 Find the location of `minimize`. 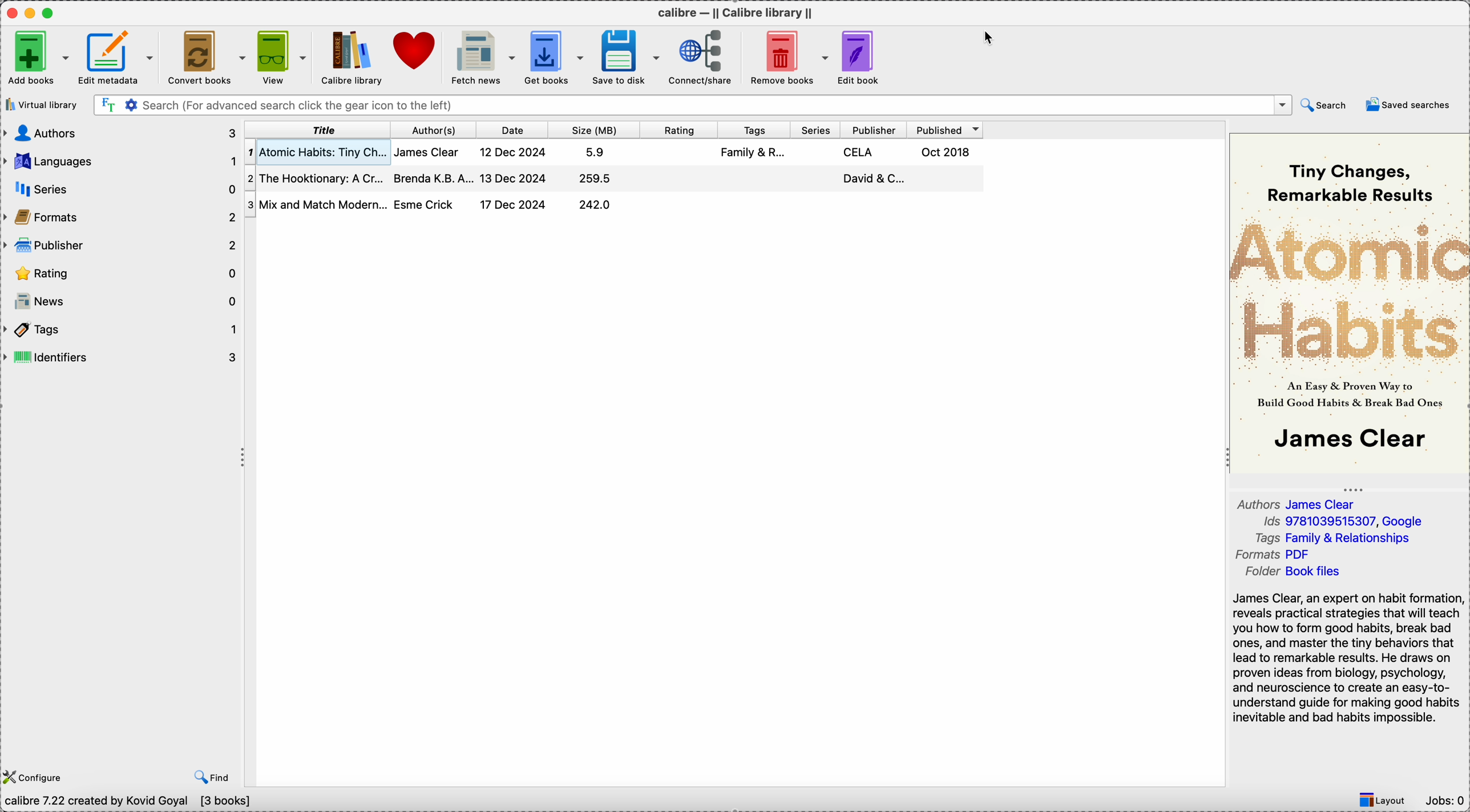

minimize is located at coordinates (32, 12).